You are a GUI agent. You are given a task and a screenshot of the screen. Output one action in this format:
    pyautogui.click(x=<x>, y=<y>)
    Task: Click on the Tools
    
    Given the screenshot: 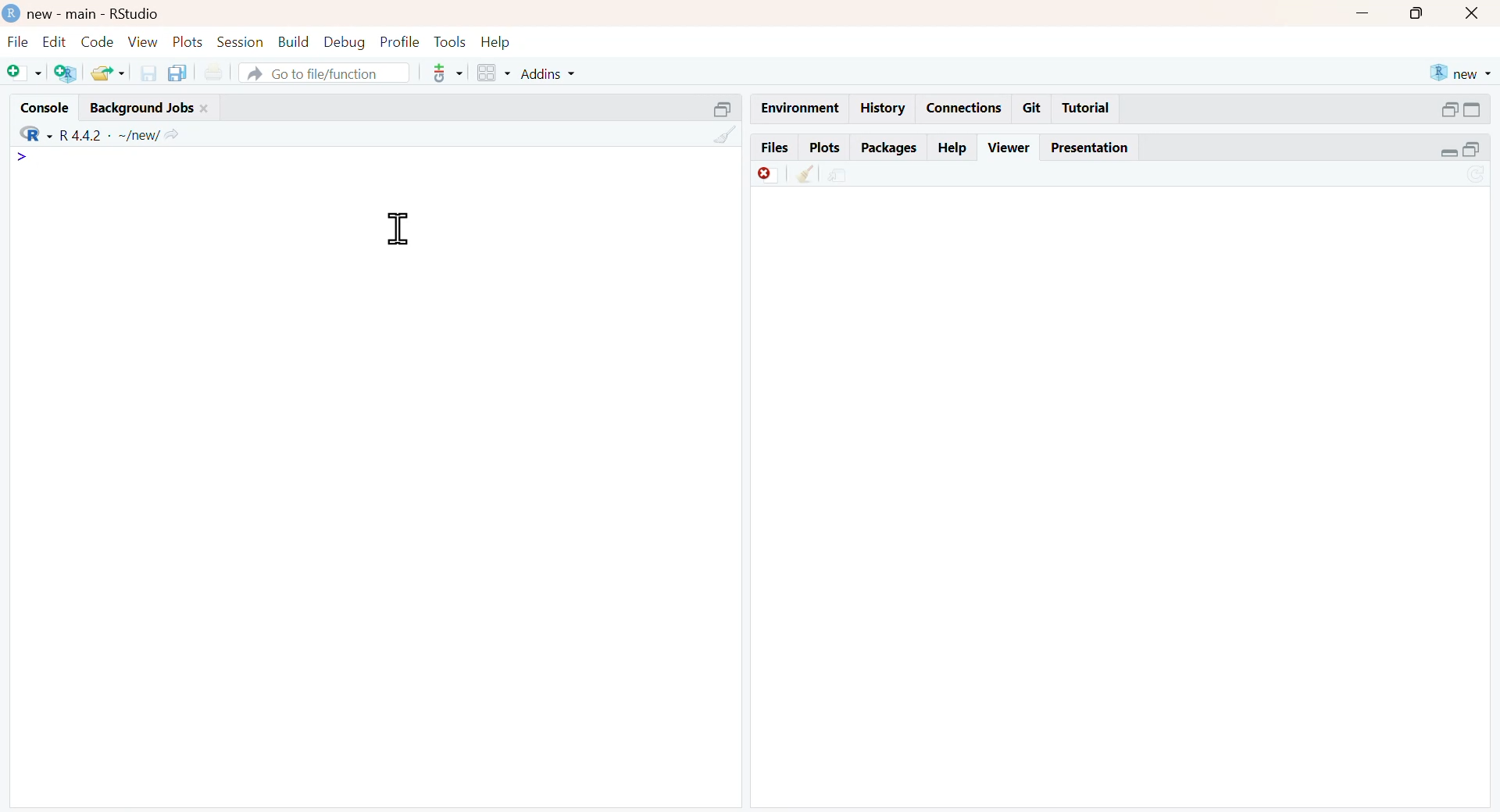 What is the action you would take?
    pyautogui.click(x=448, y=40)
    